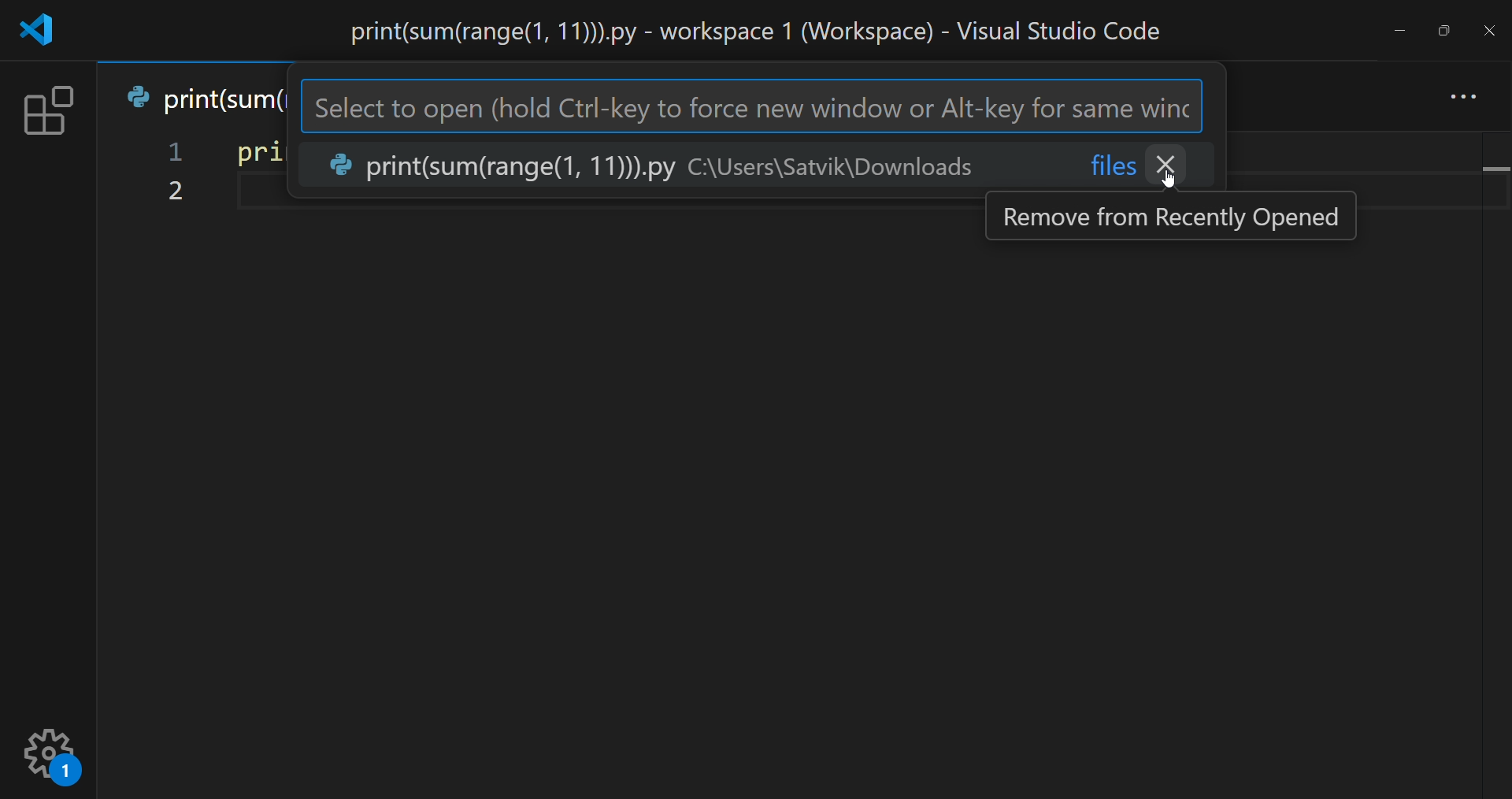 The width and height of the screenshot is (1512, 799). What do you see at coordinates (236, 194) in the screenshot?
I see `start writing` at bounding box center [236, 194].